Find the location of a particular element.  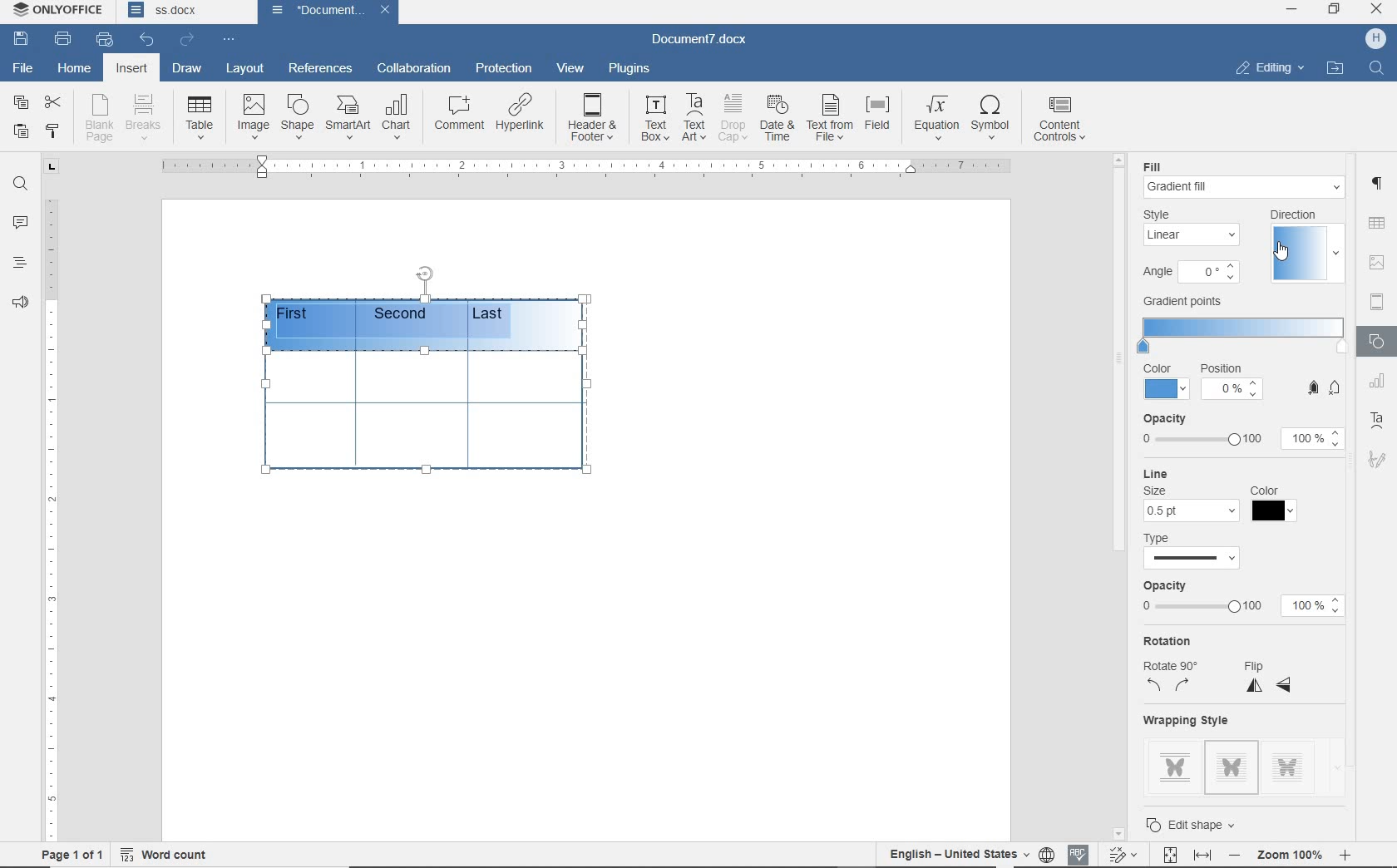

ruler is located at coordinates (584, 165).